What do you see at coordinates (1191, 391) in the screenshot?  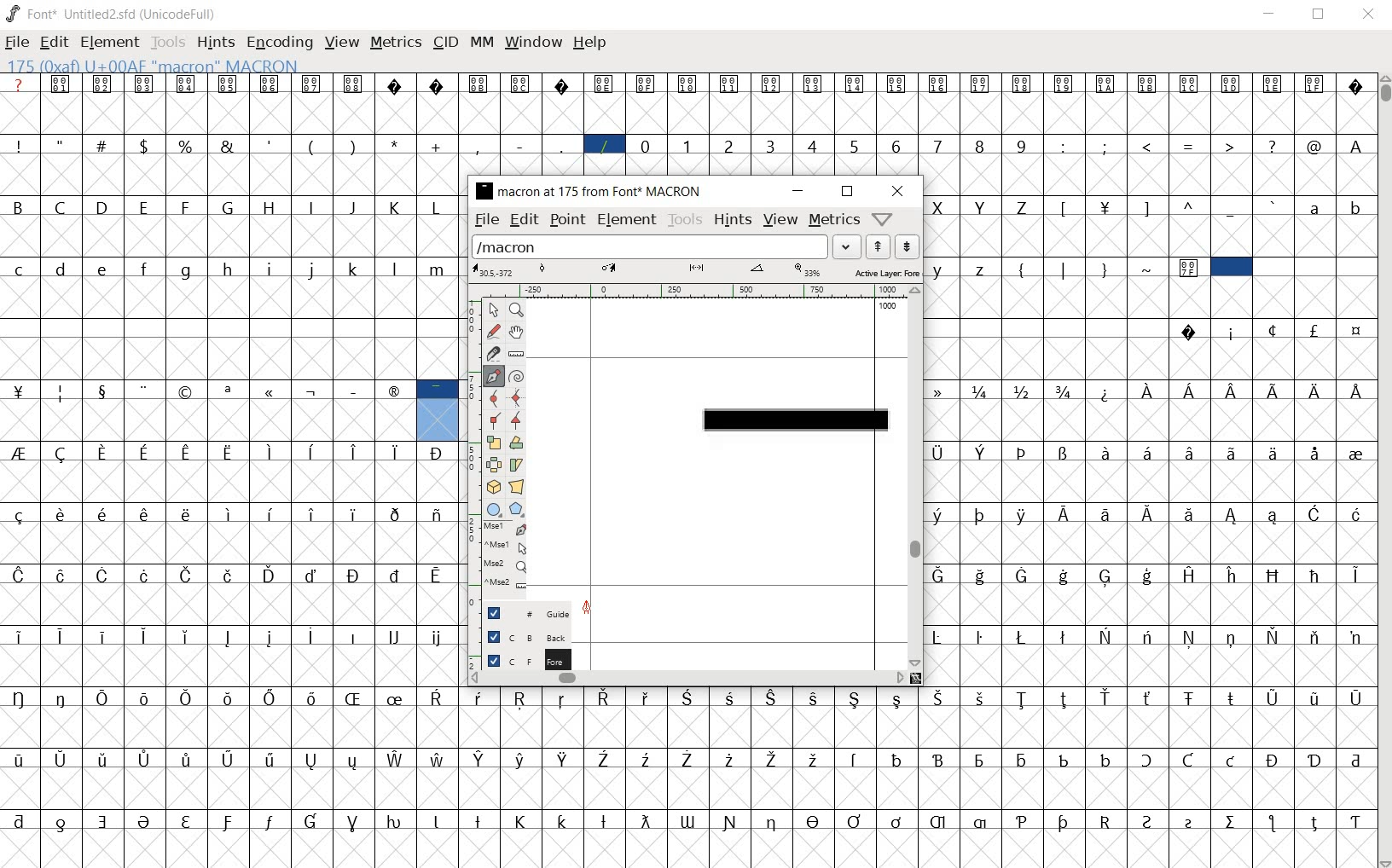 I see `Symbol` at bounding box center [1191, 391].